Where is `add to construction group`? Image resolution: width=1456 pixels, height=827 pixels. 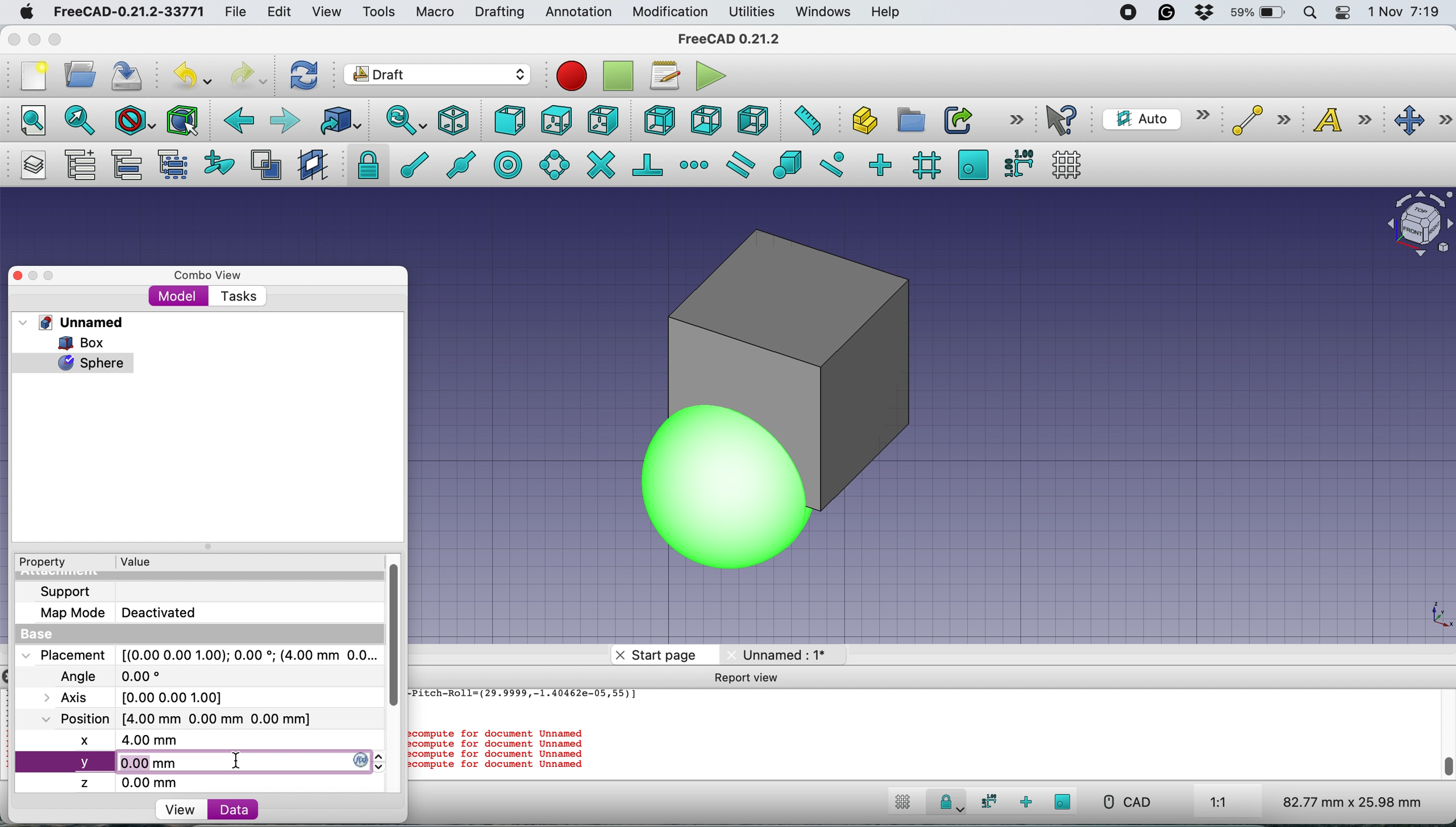 add to construction group is located at coordinates (222, 164).